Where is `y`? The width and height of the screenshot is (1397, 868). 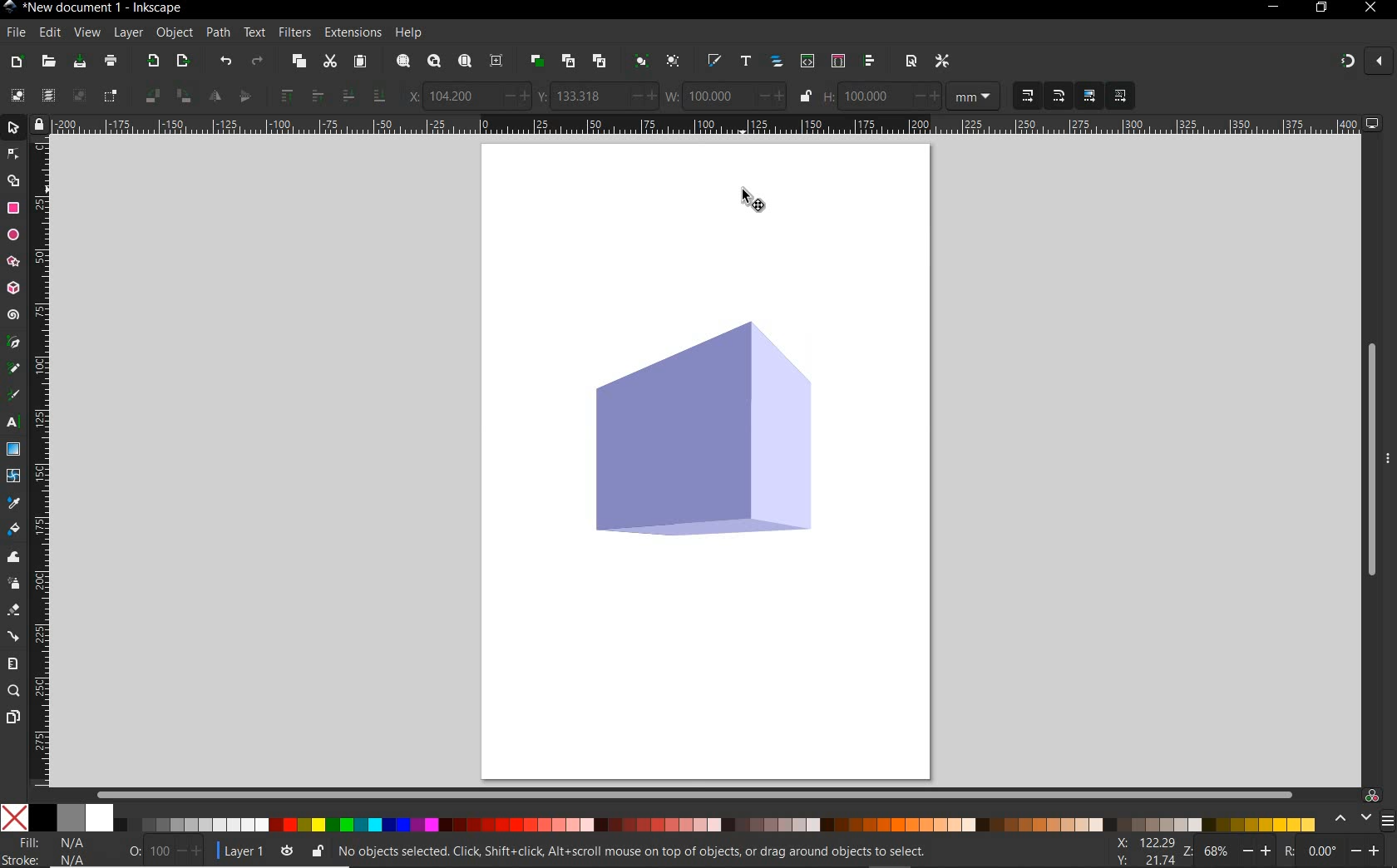 y is located at coordinates (543, 96).